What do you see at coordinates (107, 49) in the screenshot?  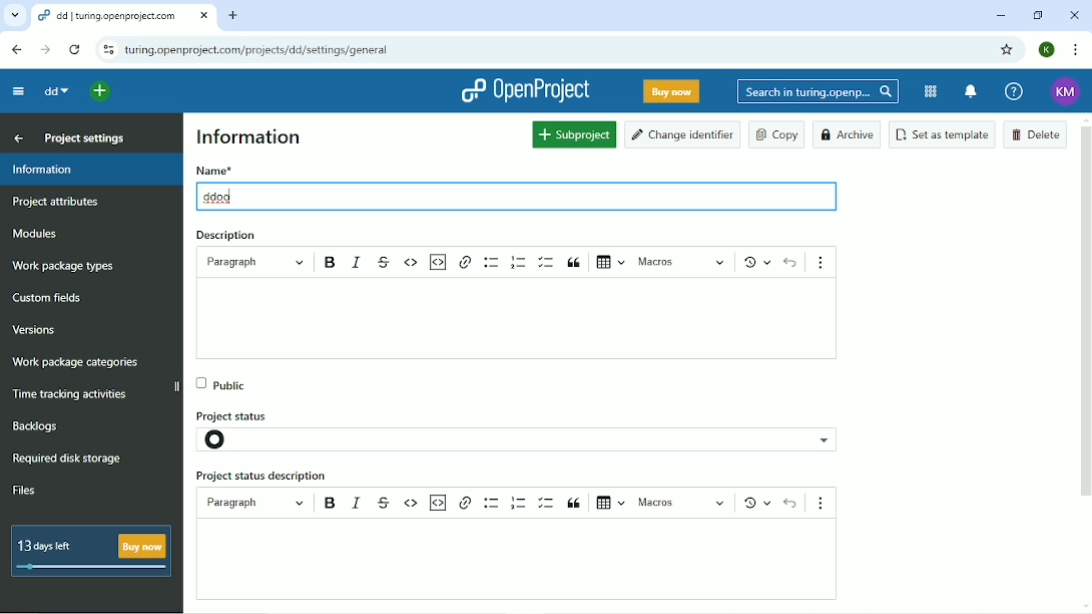 I see `View site information` at bounding box center [107, 49].